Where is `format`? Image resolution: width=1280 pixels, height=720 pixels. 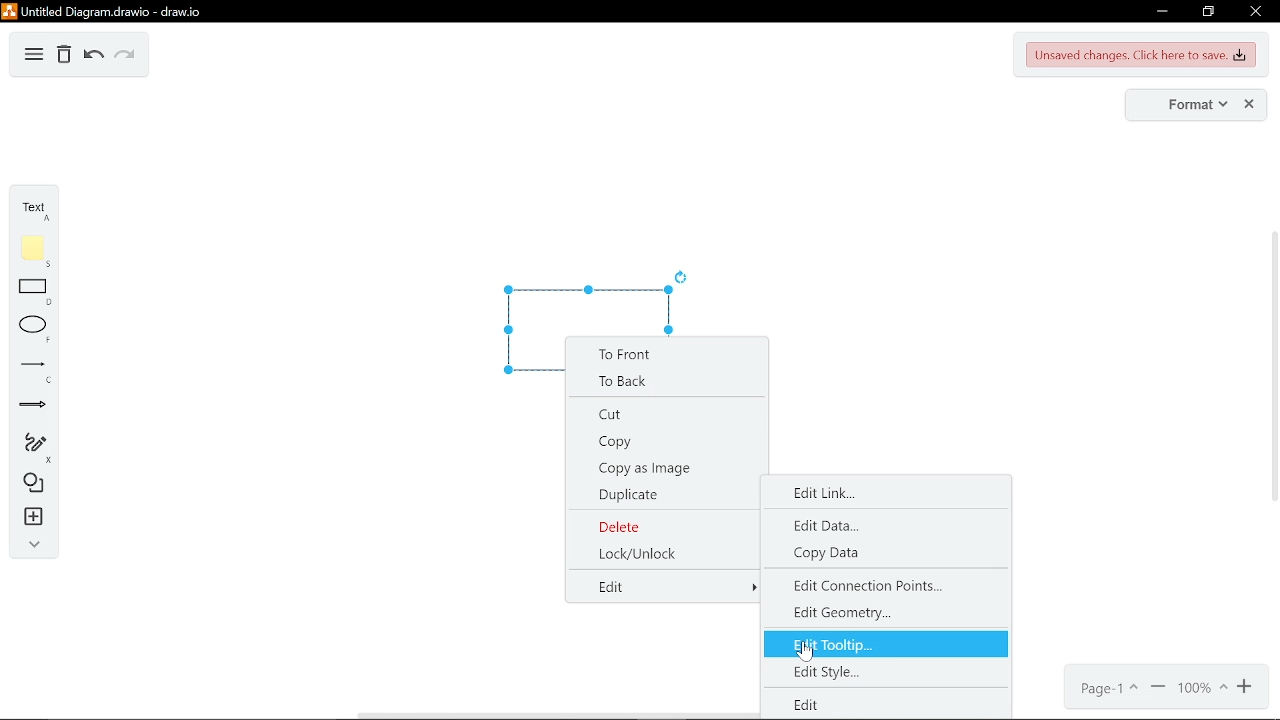
format is located at coordinates (1196, 105).